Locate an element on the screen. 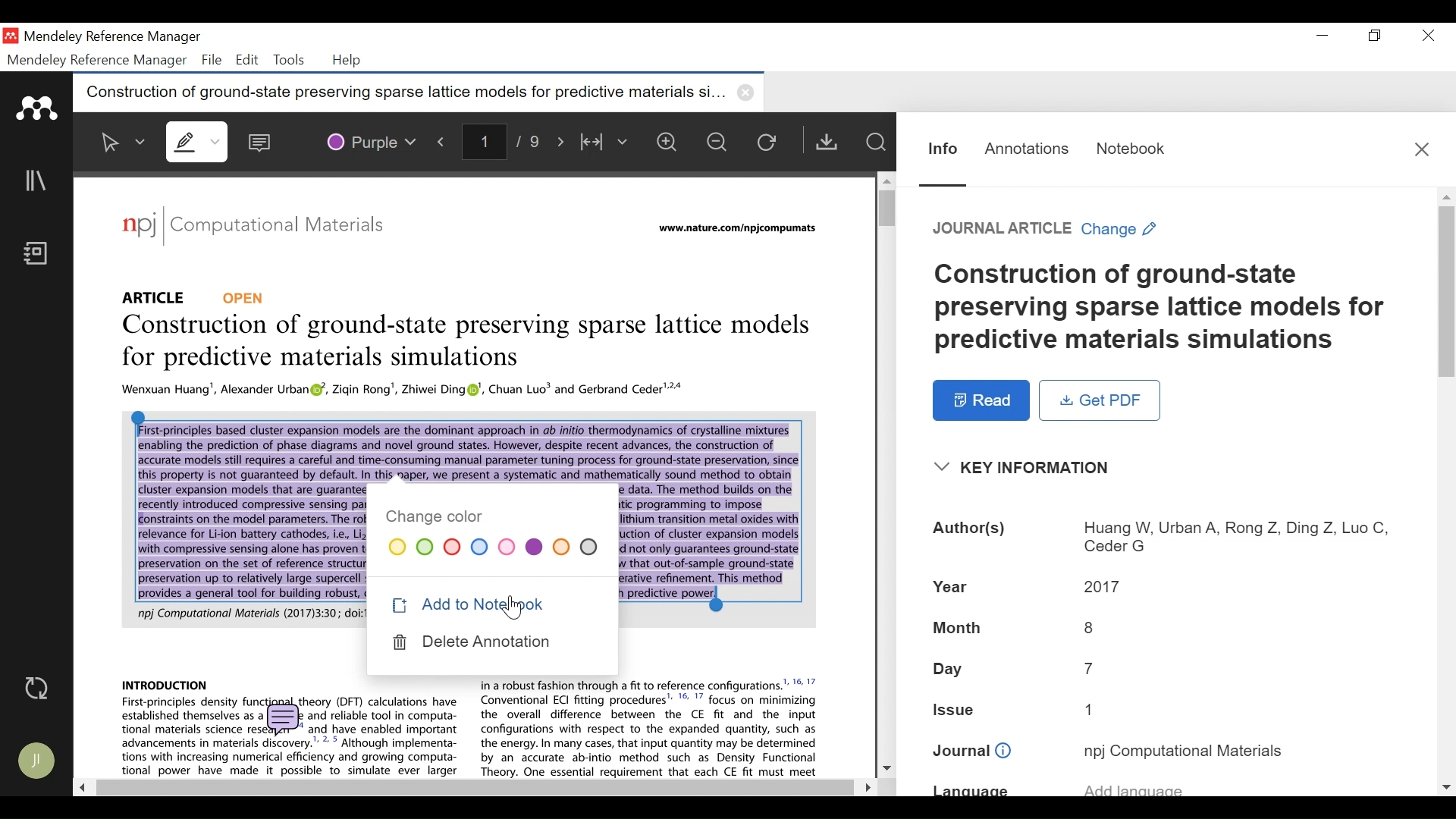 The image size is (1456, 819). Sync is located at coordinates (38, 688).